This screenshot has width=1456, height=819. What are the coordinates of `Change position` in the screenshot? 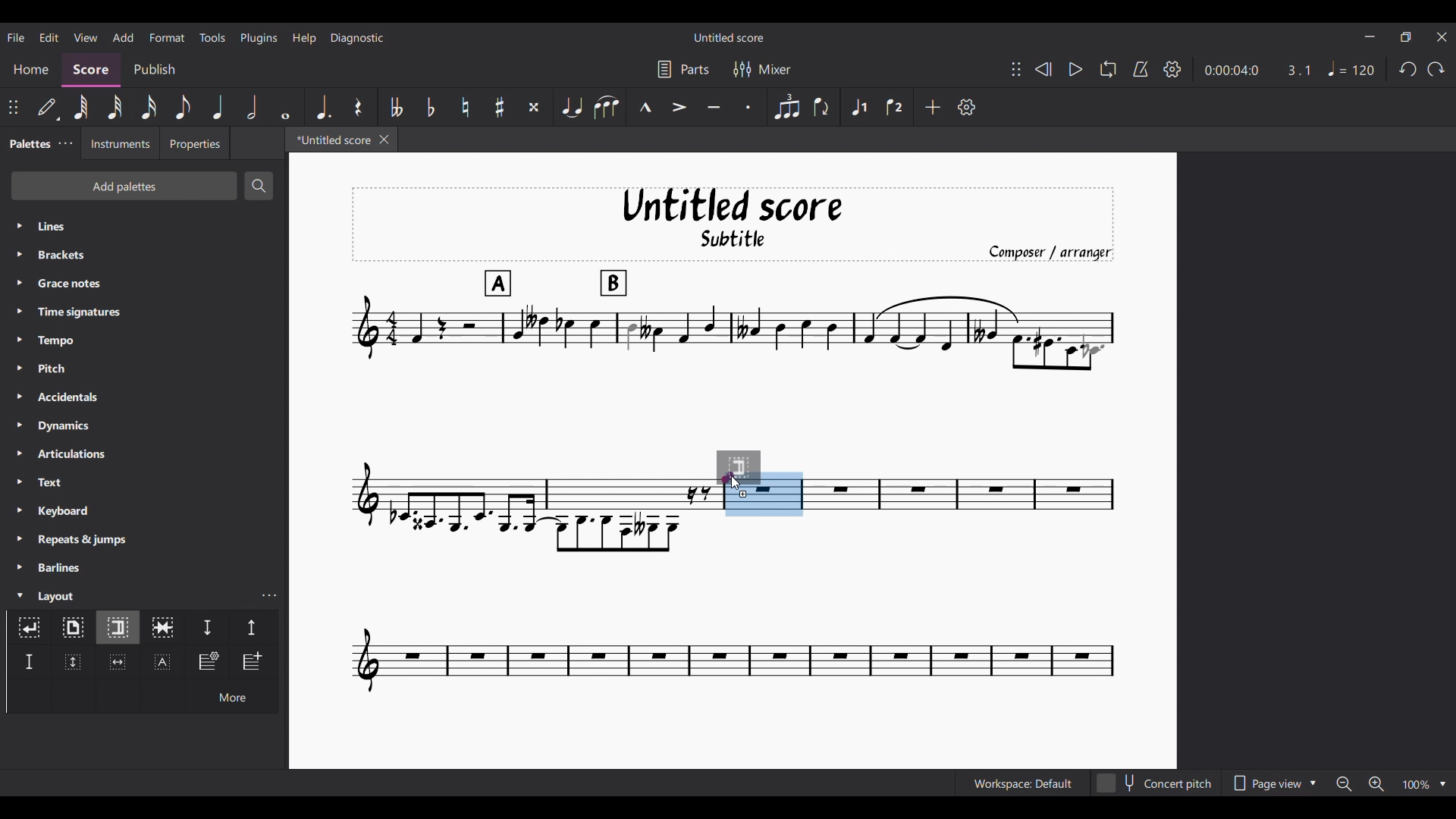 It's located at (13, 107).